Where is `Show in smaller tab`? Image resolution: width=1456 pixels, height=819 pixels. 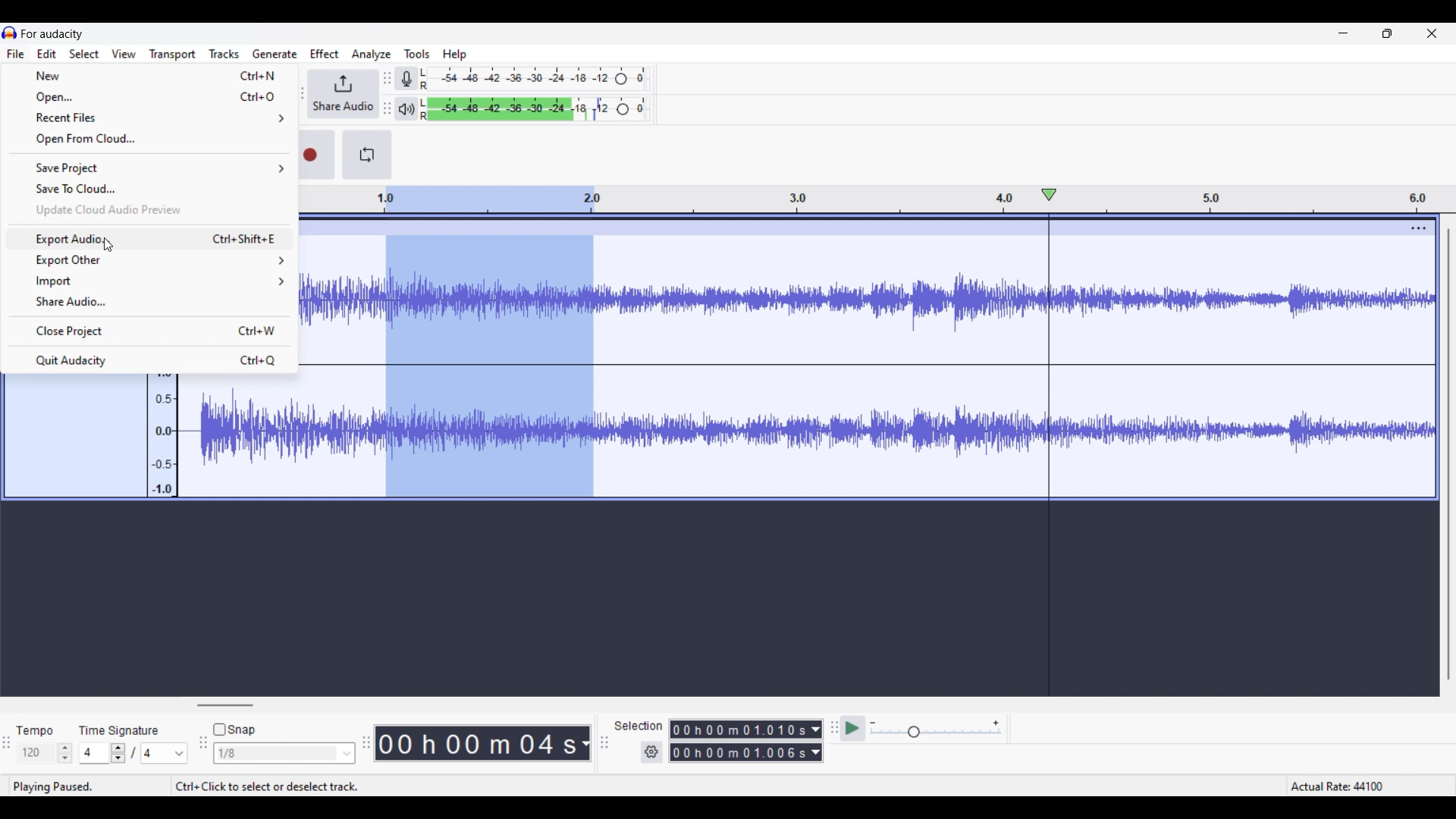
Show in smaller tab is located at coordinates (1387, 33).